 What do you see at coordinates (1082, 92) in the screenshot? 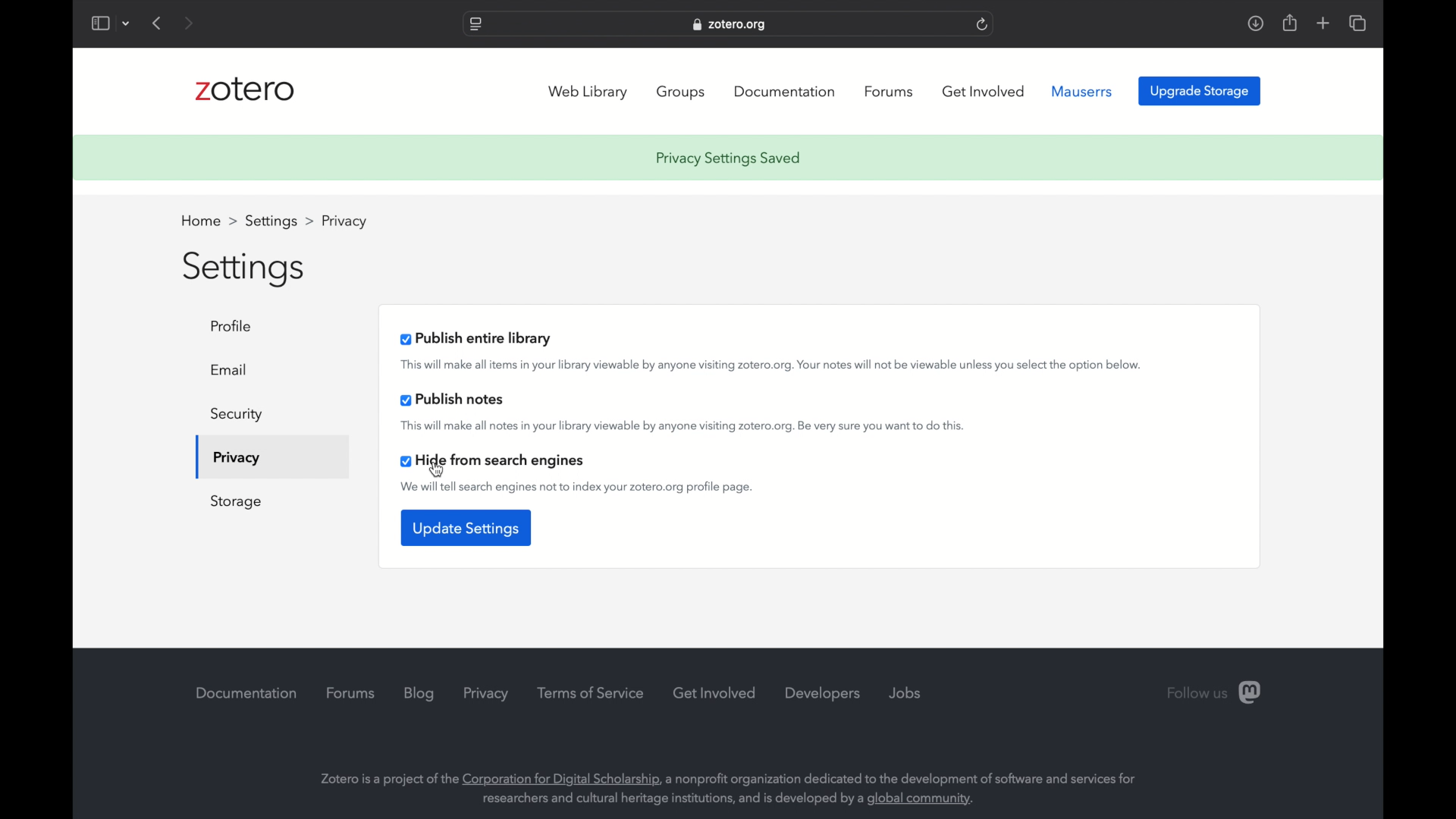
I see `mauserrs` at bounding box center [1082, 92].